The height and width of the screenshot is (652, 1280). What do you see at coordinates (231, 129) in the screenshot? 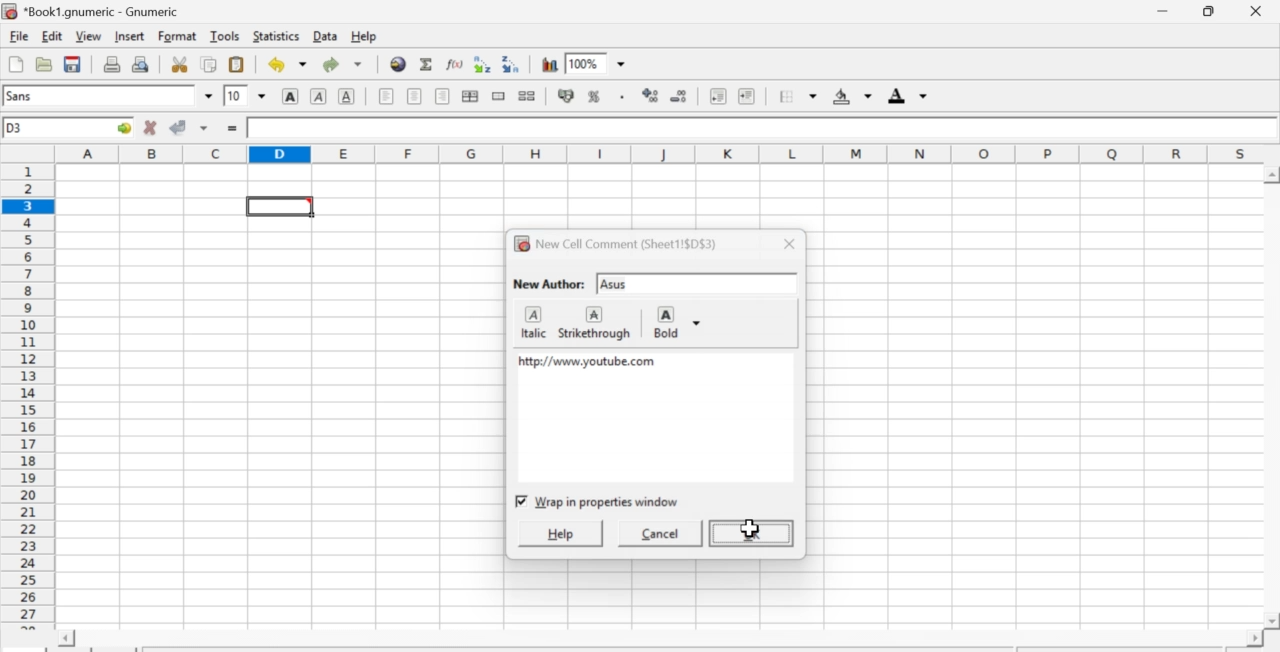
I see `=` at bounding box center [231, 129].